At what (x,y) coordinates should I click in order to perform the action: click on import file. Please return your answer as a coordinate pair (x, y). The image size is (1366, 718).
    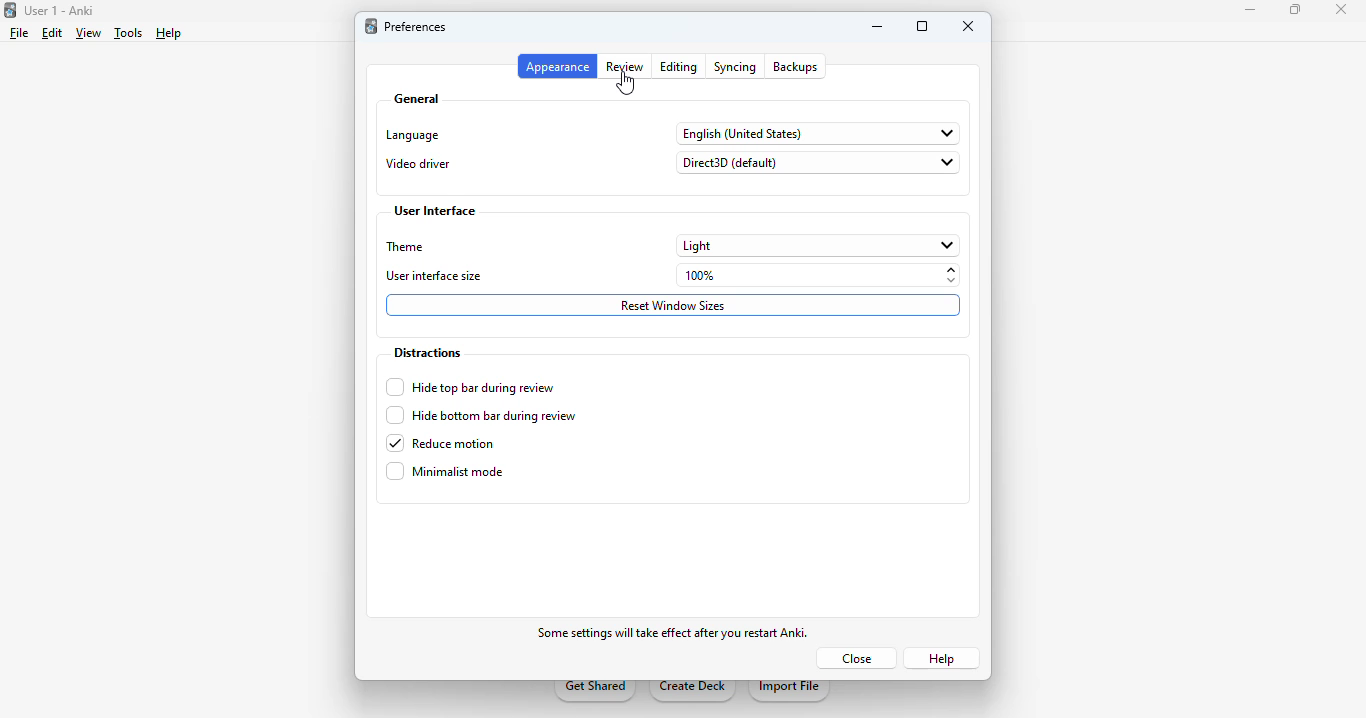
    Looking at the image, I should click on (788, 691).